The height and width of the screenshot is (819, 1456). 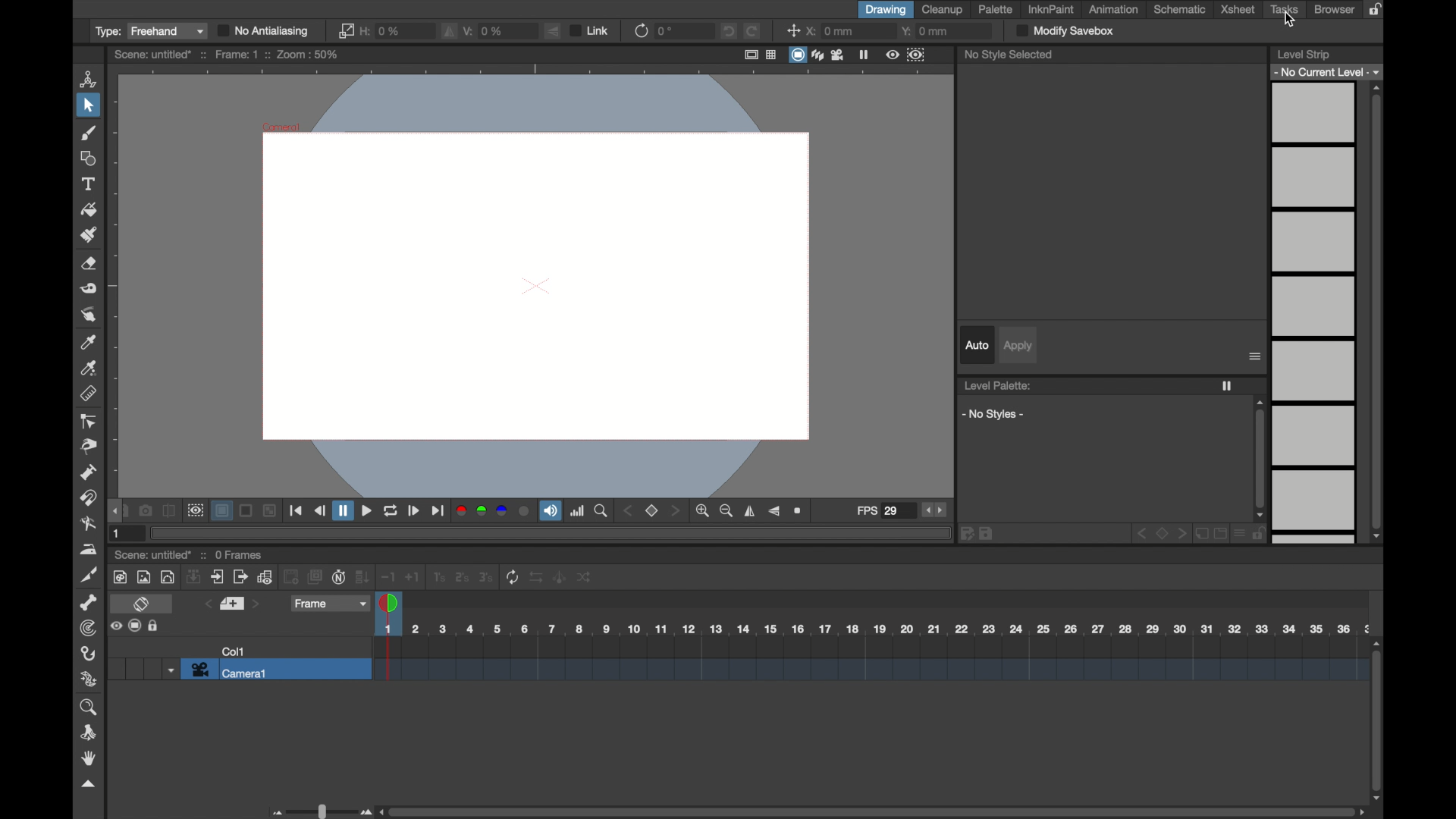 What do you see at coordinates (258, 604) in the screenshot?
I see `next set` at bounding box center [258, 604].